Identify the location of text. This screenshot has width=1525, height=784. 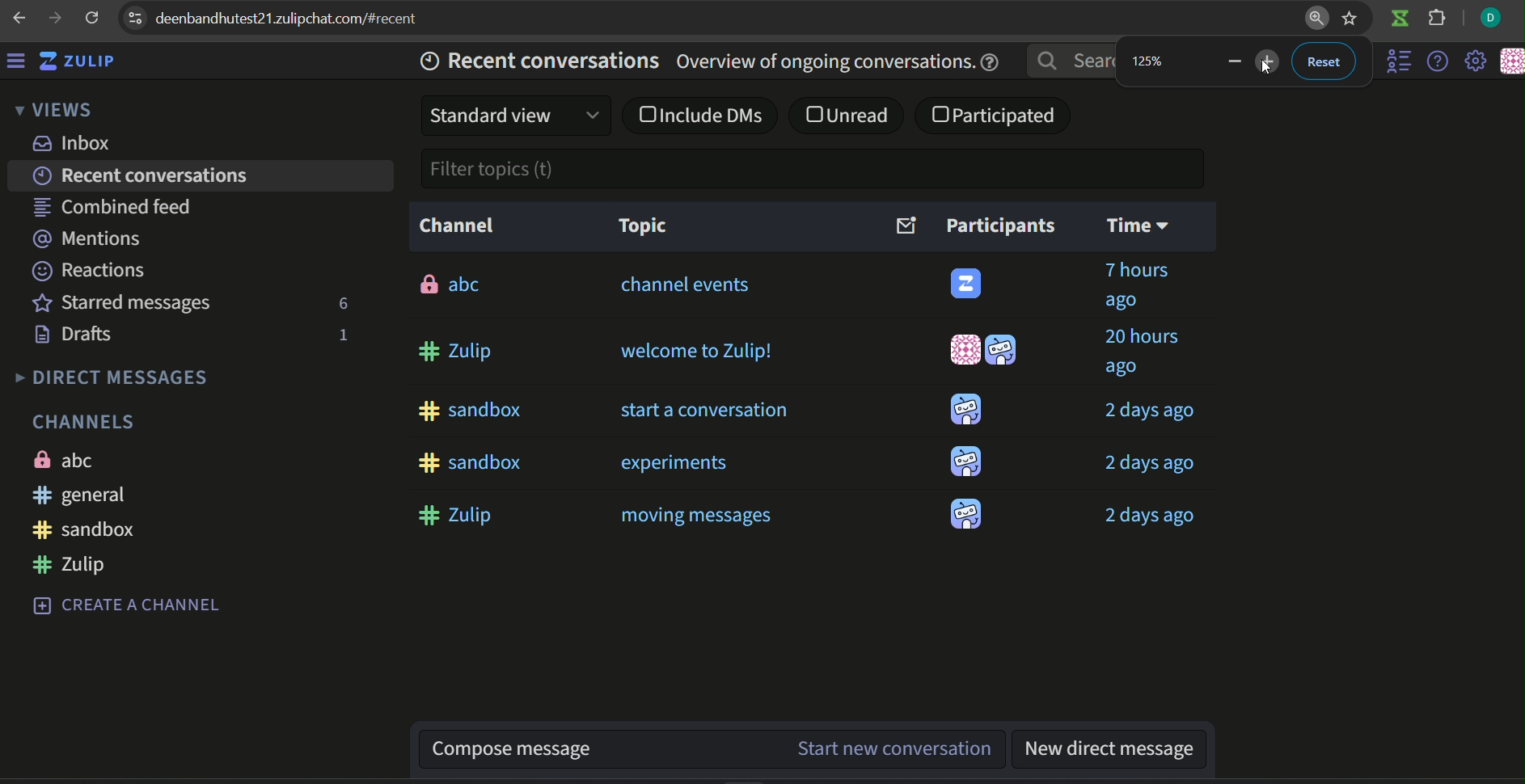
(111, 376).